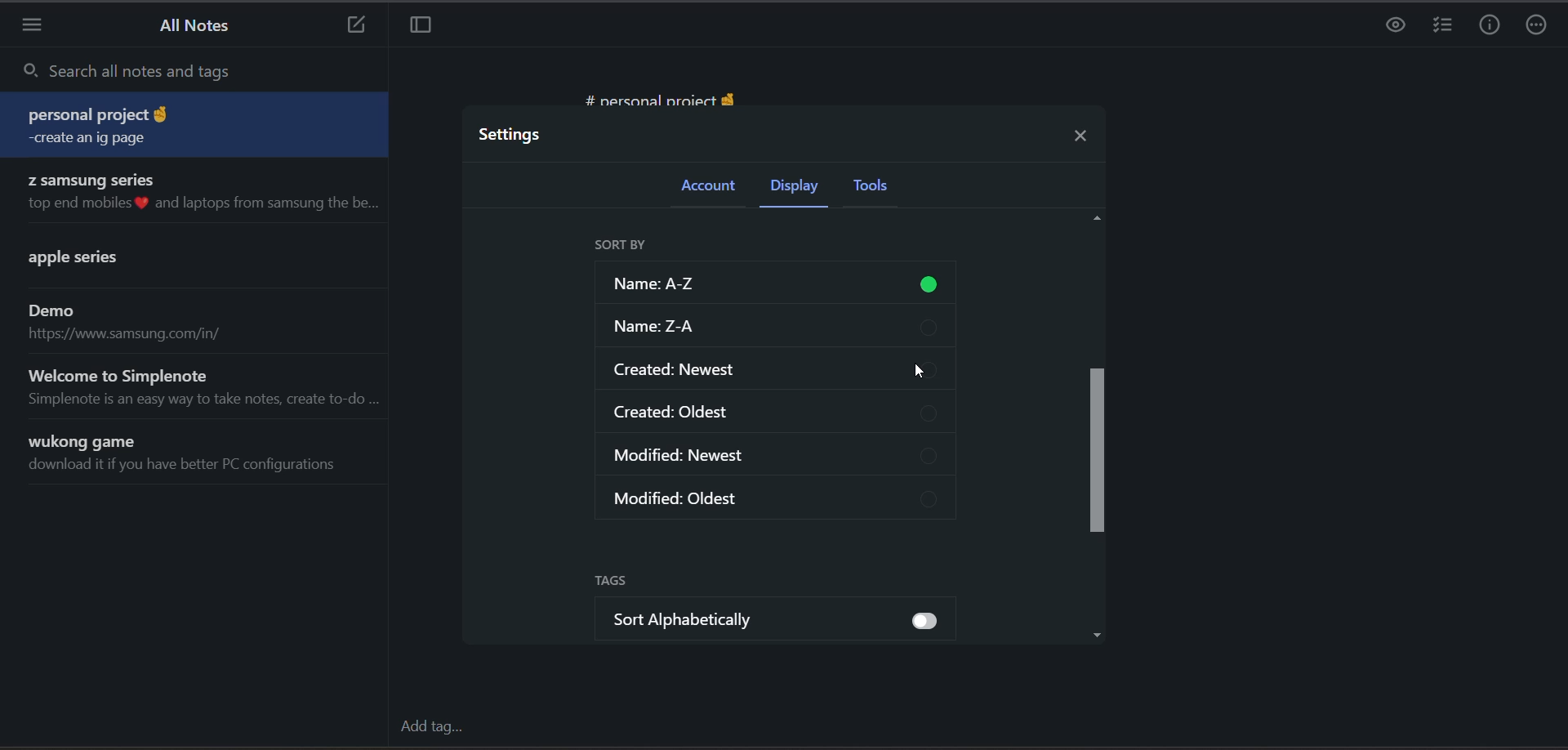 This screenshot has height=750, width=1568. I want to click on actions, so click(1537, 27).